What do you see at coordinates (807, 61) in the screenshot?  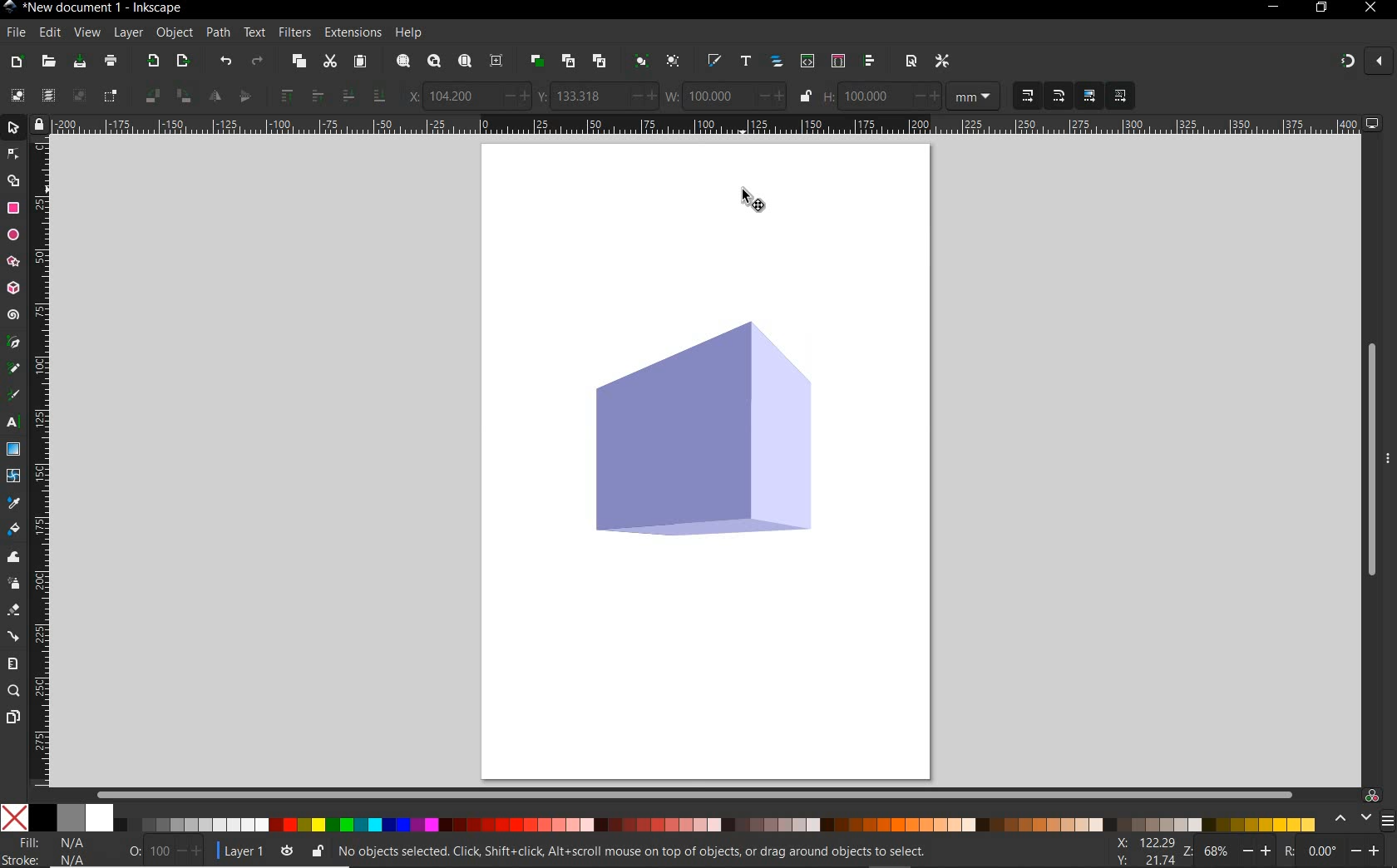 I see `open xml editor` at bounding box center [807, 61].